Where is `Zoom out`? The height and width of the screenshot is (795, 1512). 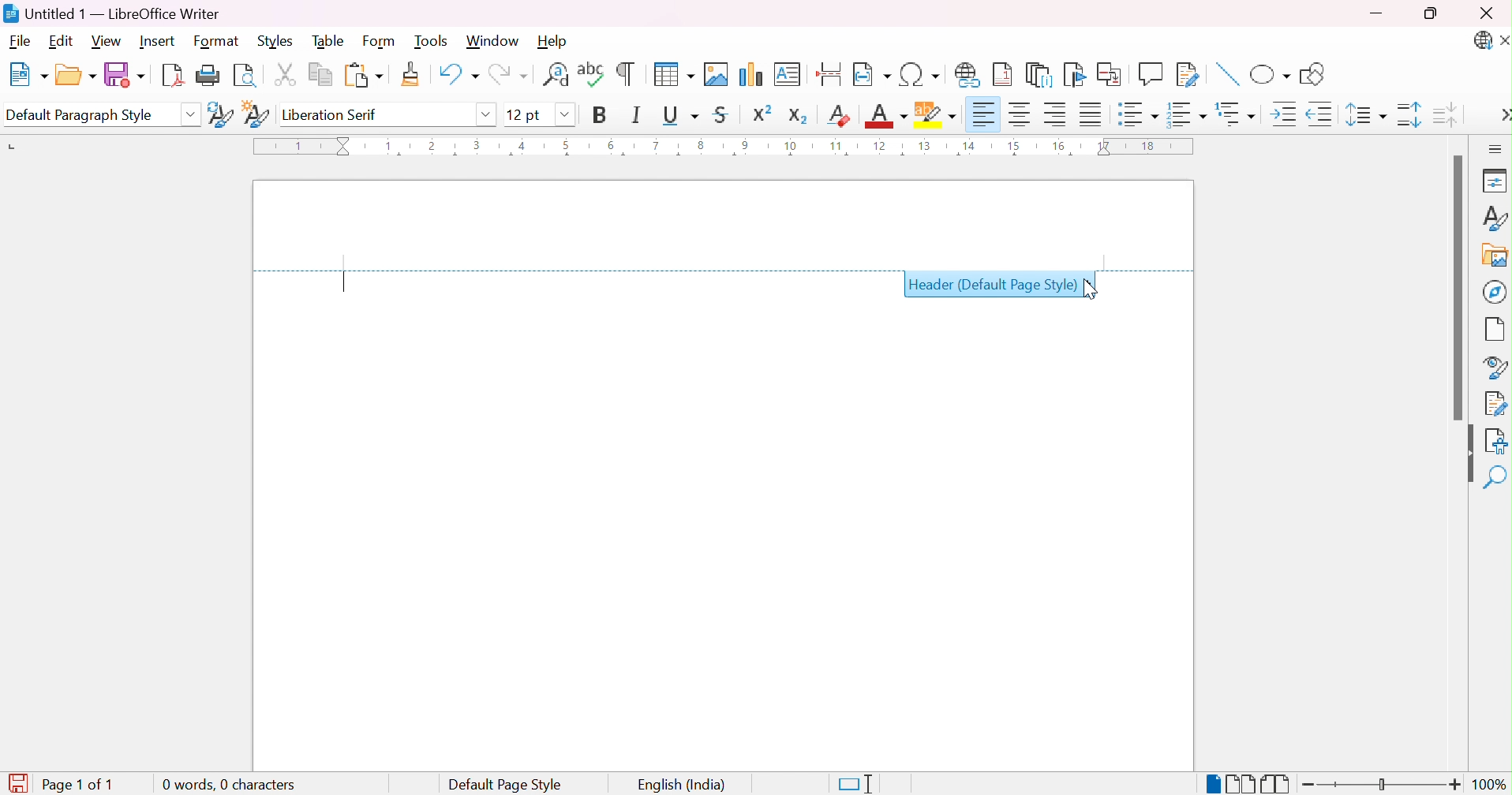
Zoom out is located at coordinates (1309, 786).